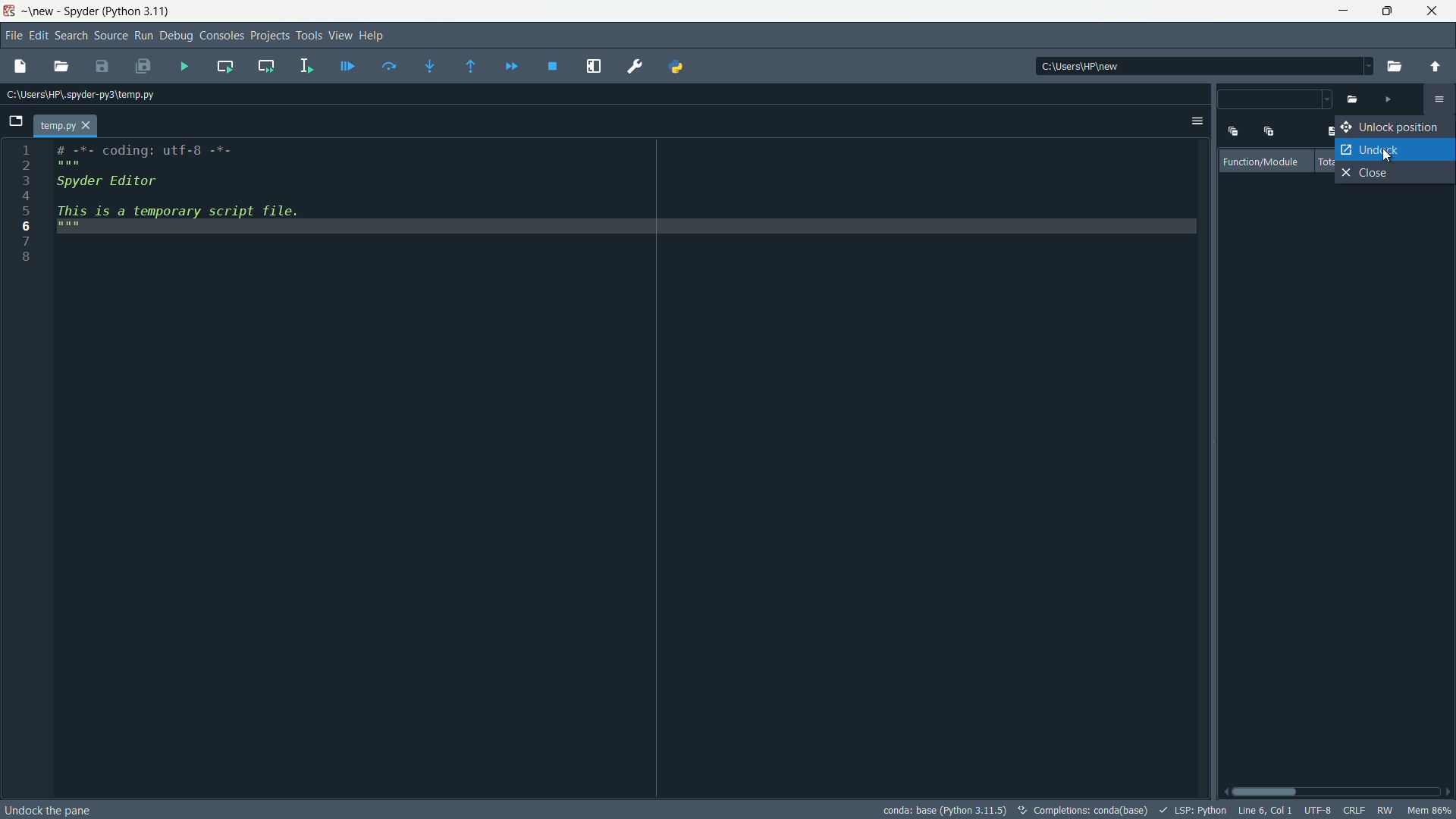  What do you see at coordinates (1371, 175) in the screenshot?
I see `close` at bounding box center [1371, 175].